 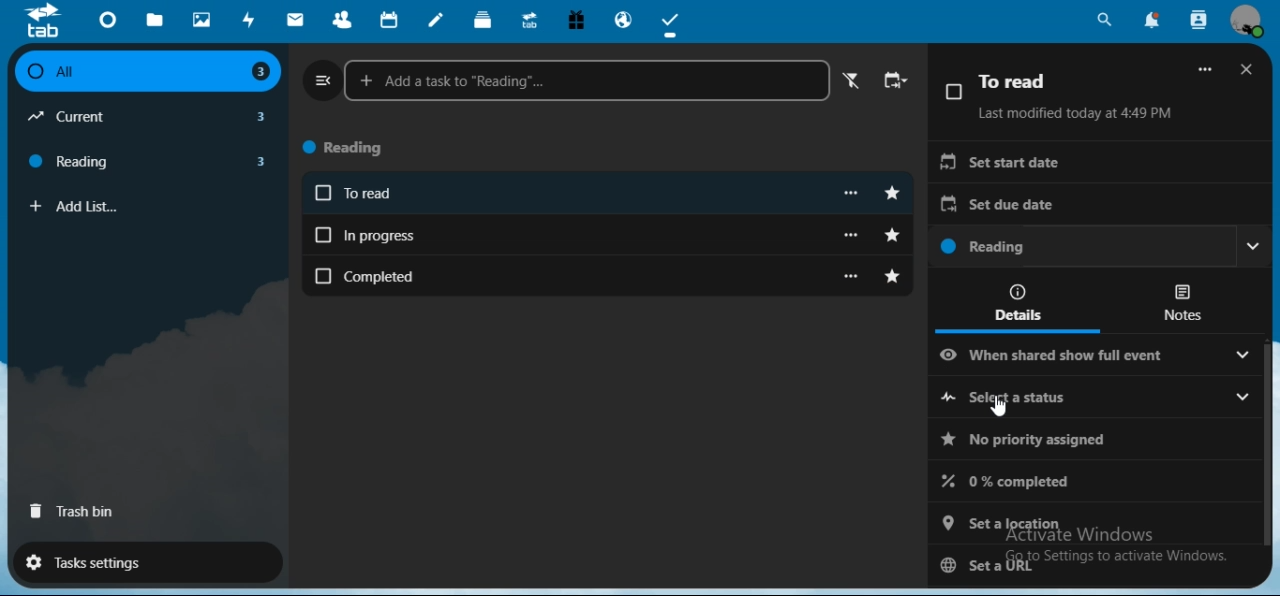 What do you see at coordinates (156, 21) in the screenshot?
I see `files` at bounding box center [156, 21].